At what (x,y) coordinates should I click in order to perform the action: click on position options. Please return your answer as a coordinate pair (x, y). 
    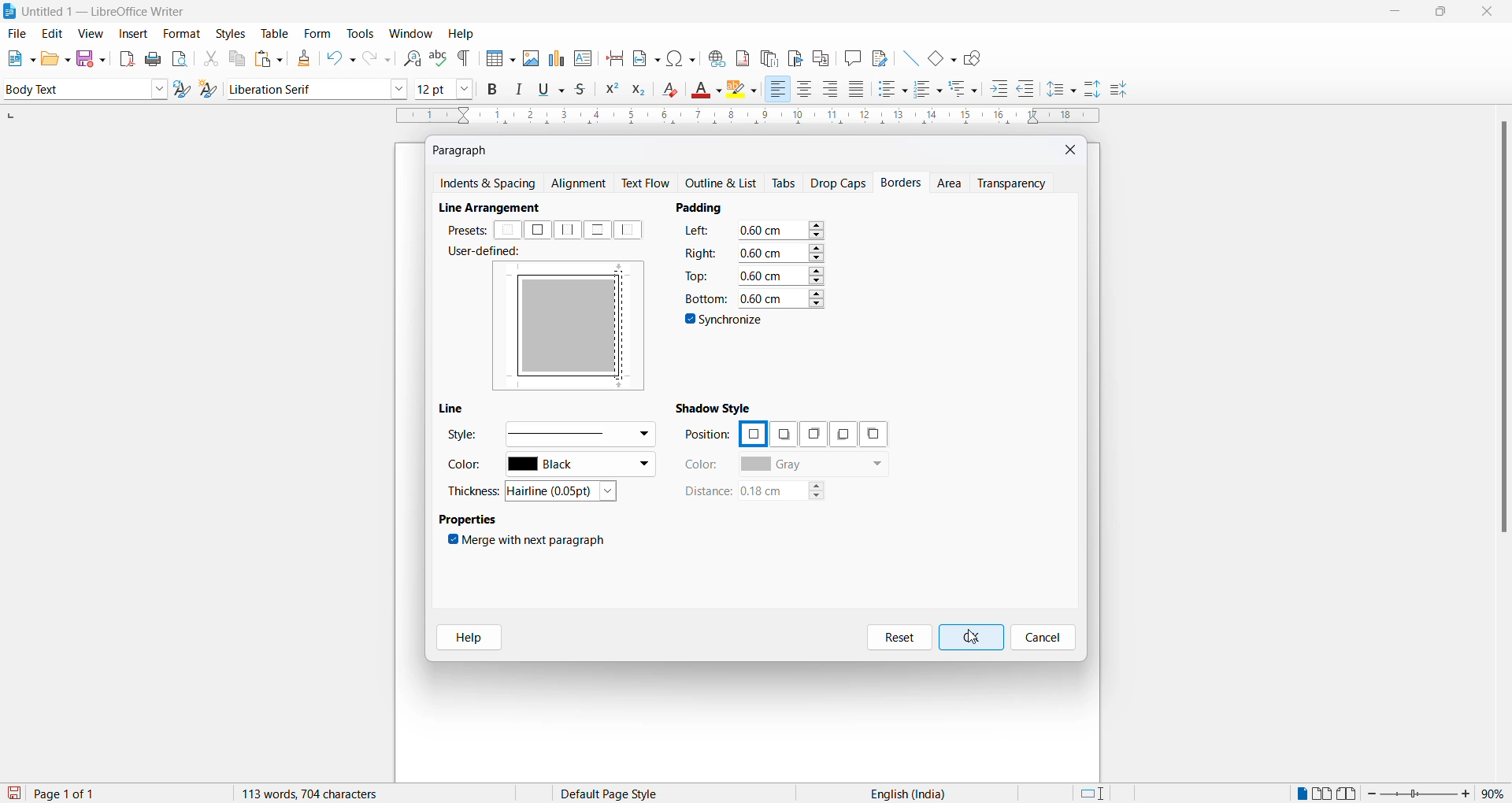
    Looking at the image, I should click on (752, 432).